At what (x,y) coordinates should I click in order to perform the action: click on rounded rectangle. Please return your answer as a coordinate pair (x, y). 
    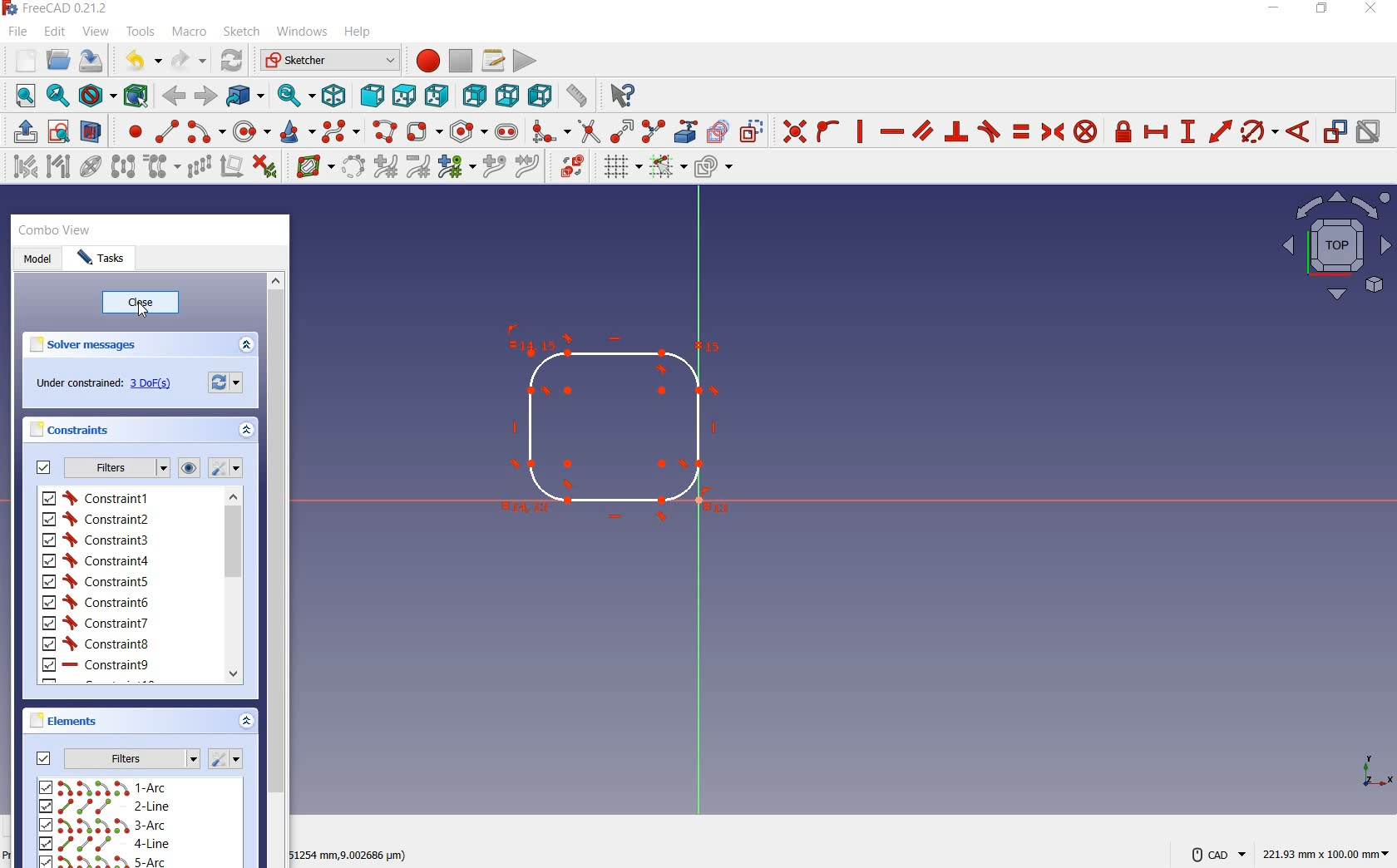
    Looking at the image, I should click on (613, 433).